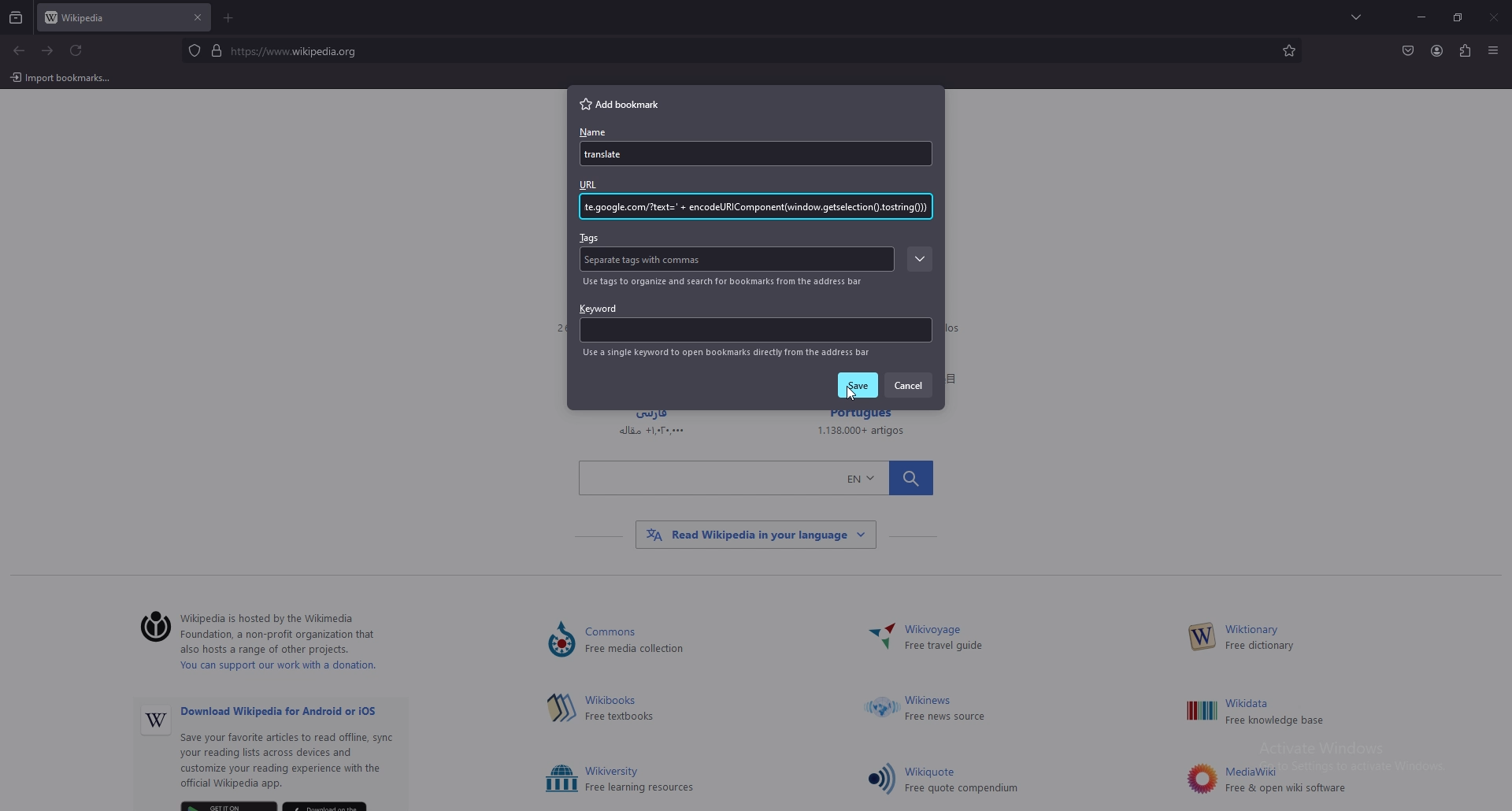  What do you see at coordinates (613, 155) in the screenshot?
I see `` at bounding box center [613, 155].